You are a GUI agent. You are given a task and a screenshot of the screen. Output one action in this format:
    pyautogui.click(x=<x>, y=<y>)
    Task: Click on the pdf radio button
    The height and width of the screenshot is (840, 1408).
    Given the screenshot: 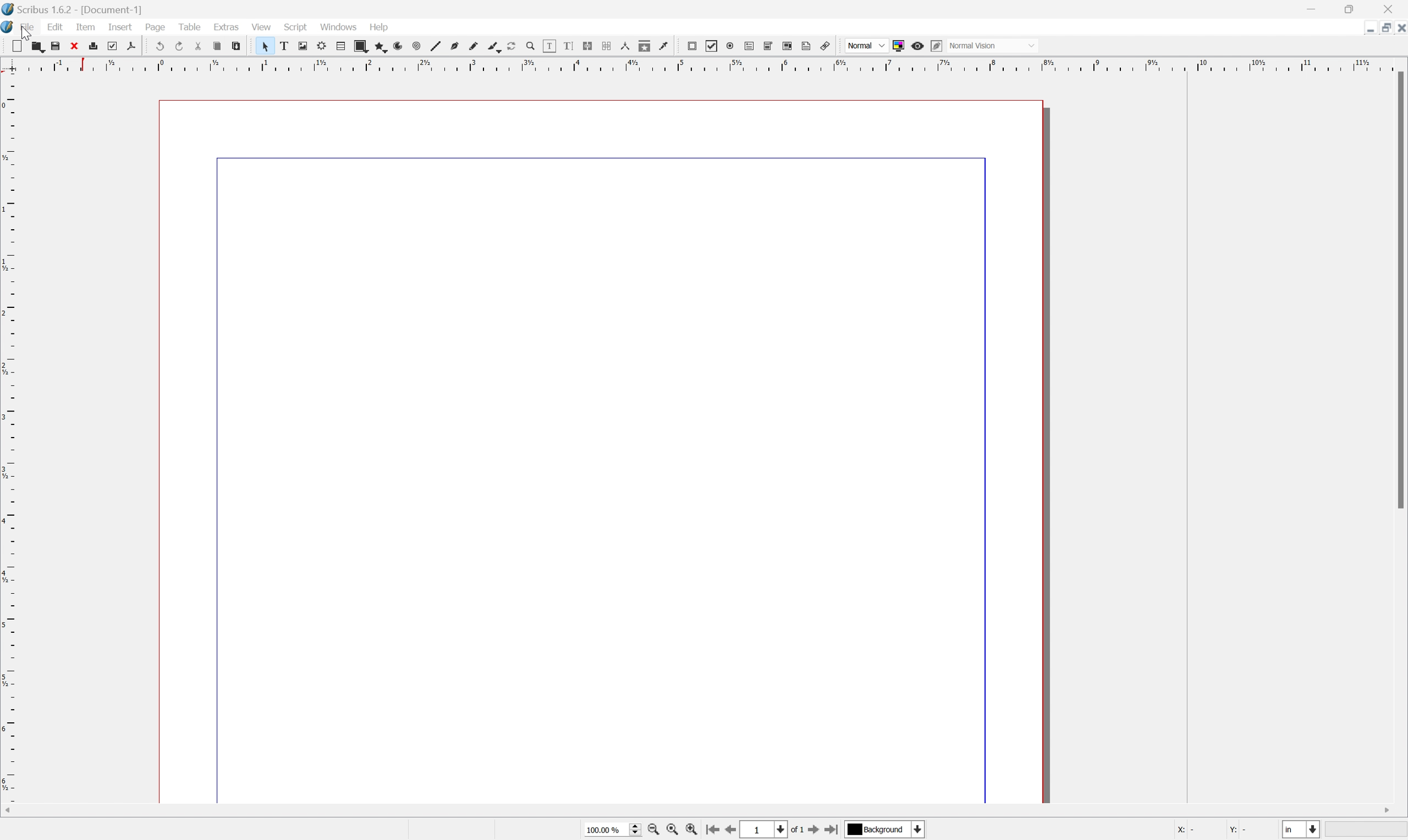 What is the action you would take?
    pyautogui.click(x=730, y=44)
    